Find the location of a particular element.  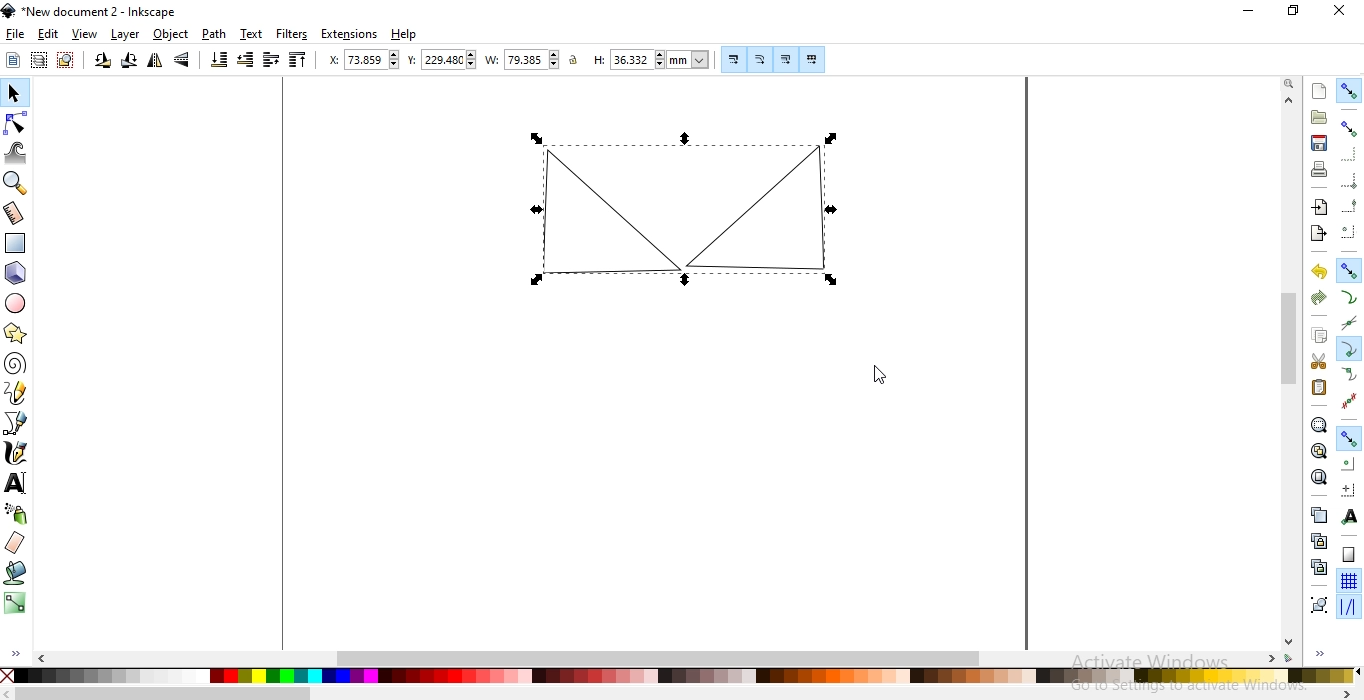

minimize is located at coordinates (1252, 12).